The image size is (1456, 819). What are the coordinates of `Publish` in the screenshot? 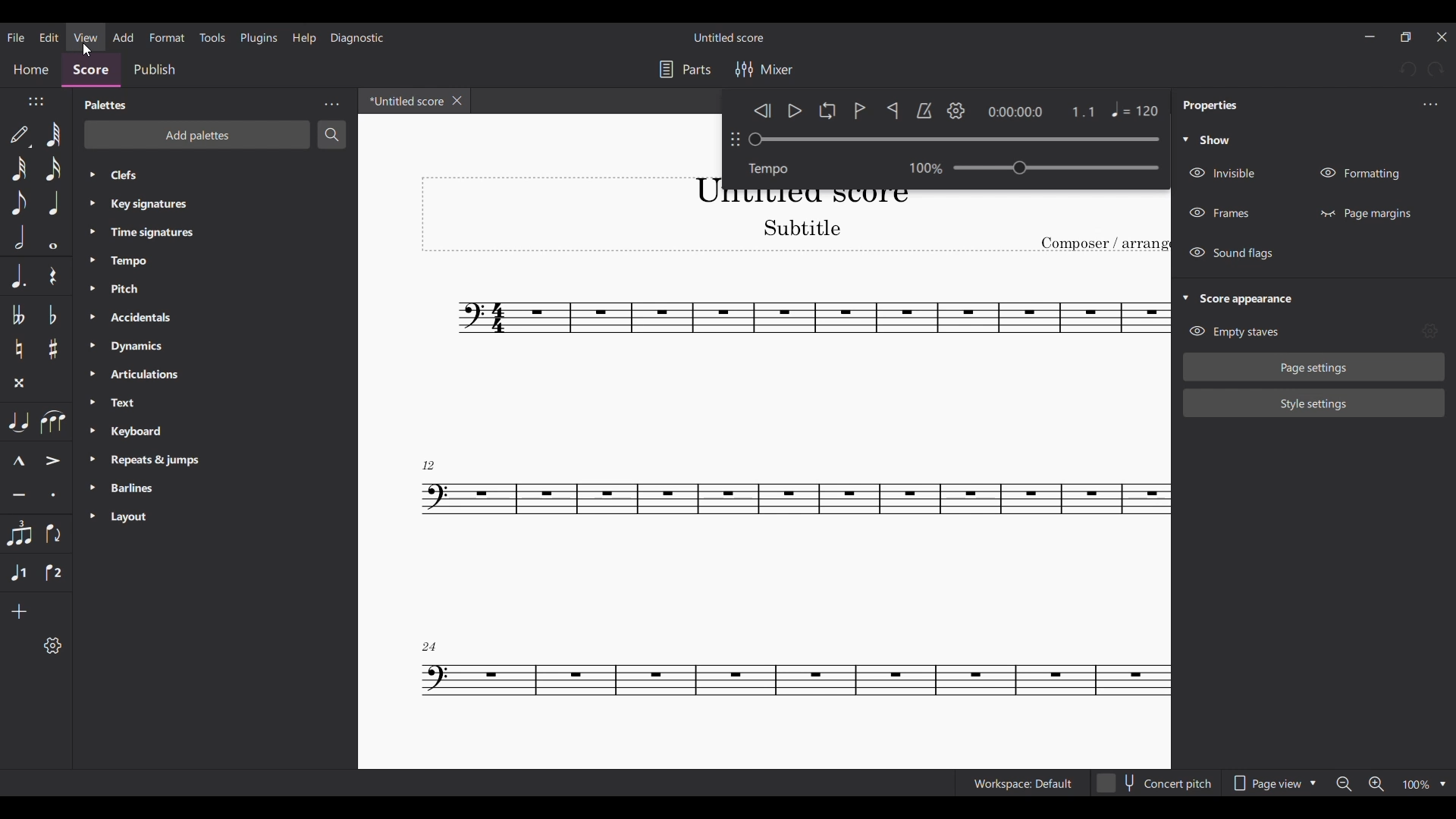 It's located at (155, 70).